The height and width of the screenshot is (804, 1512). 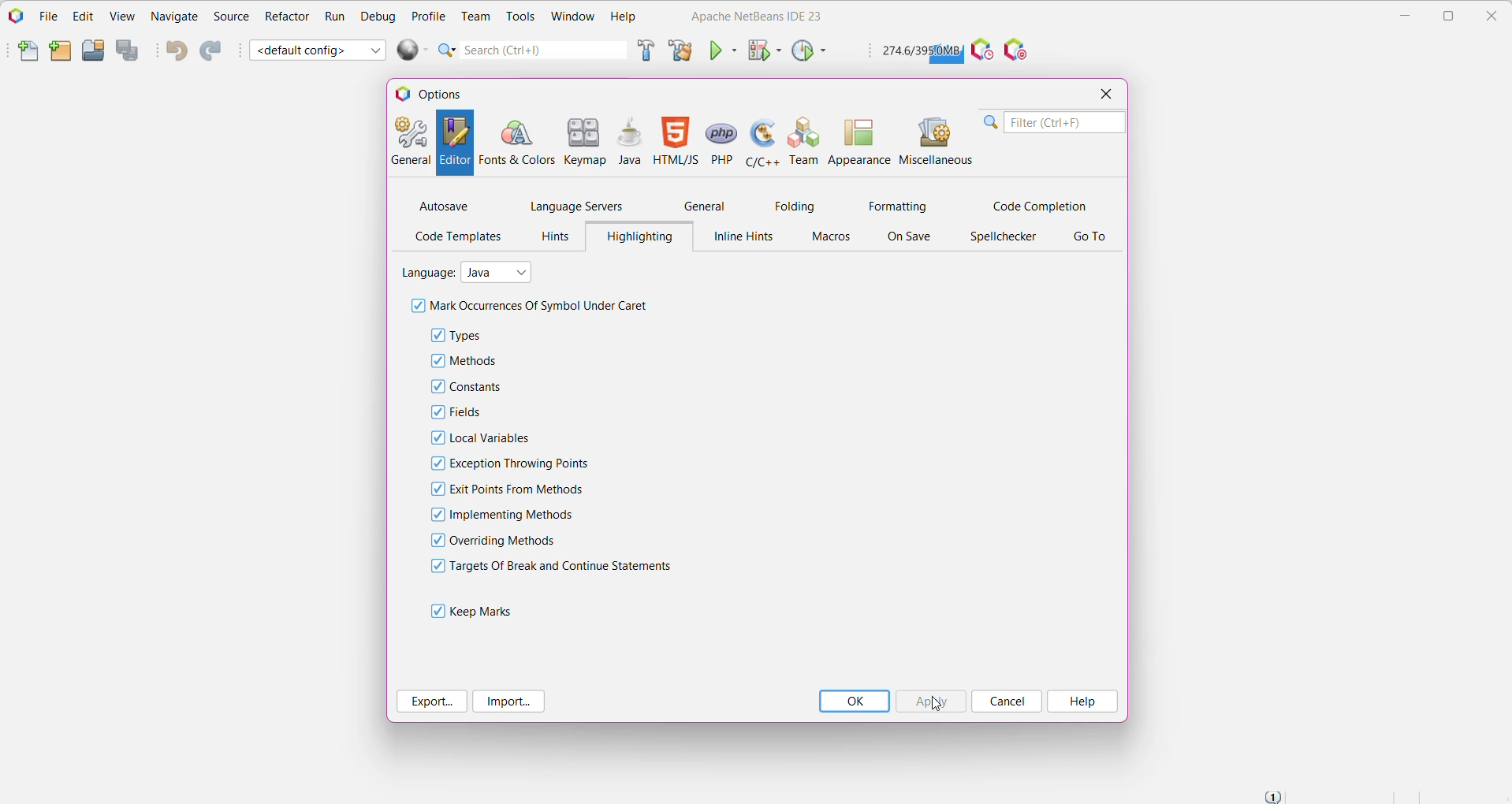 What do you see at coordinates (429, 15) in the screenshot?
I see `Profile` at bounding box center [429, 15].